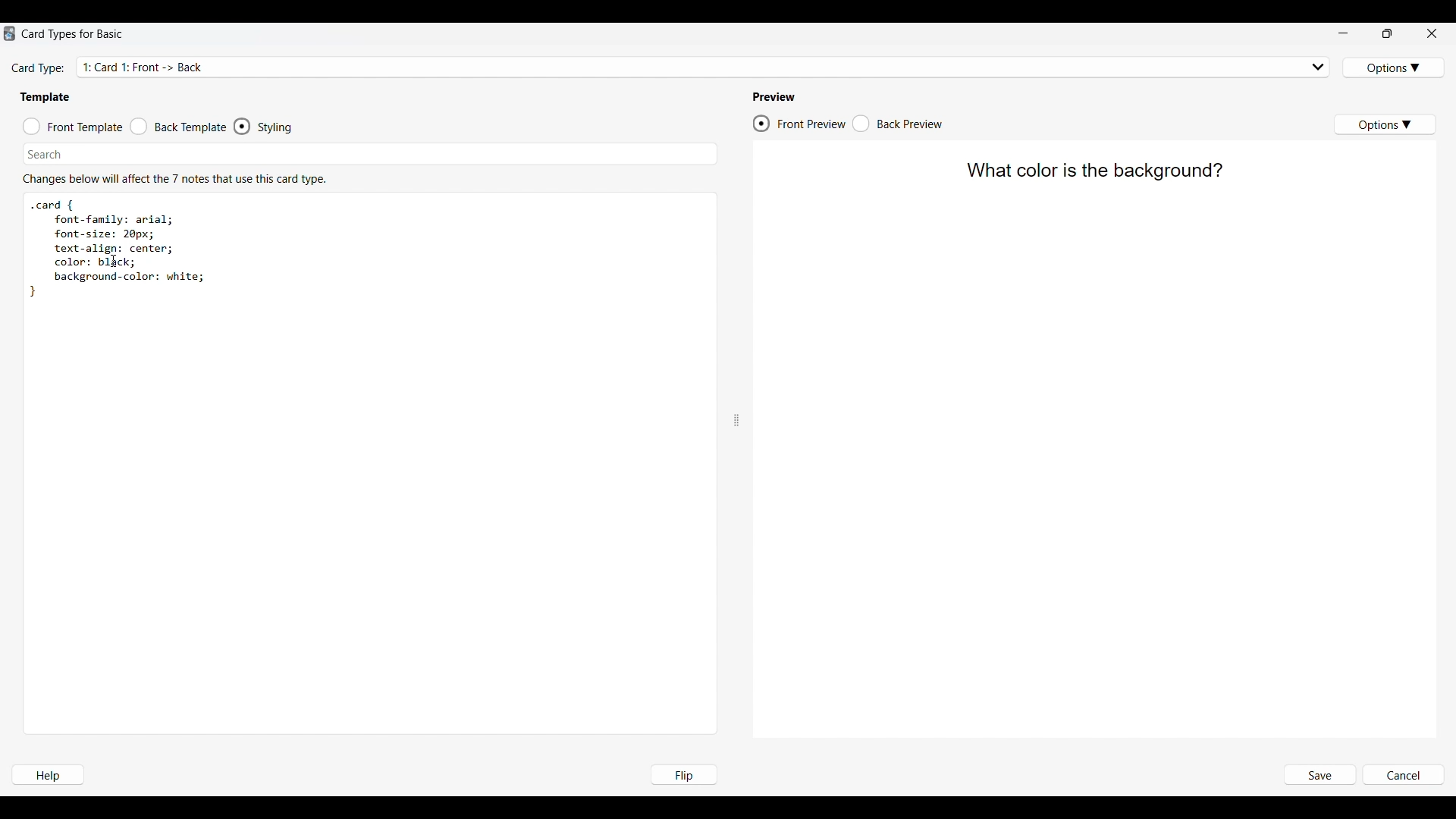 This screenshot has height=819, width=1456. I want to click on Show interface in smaller tab, so click(1388, 33).